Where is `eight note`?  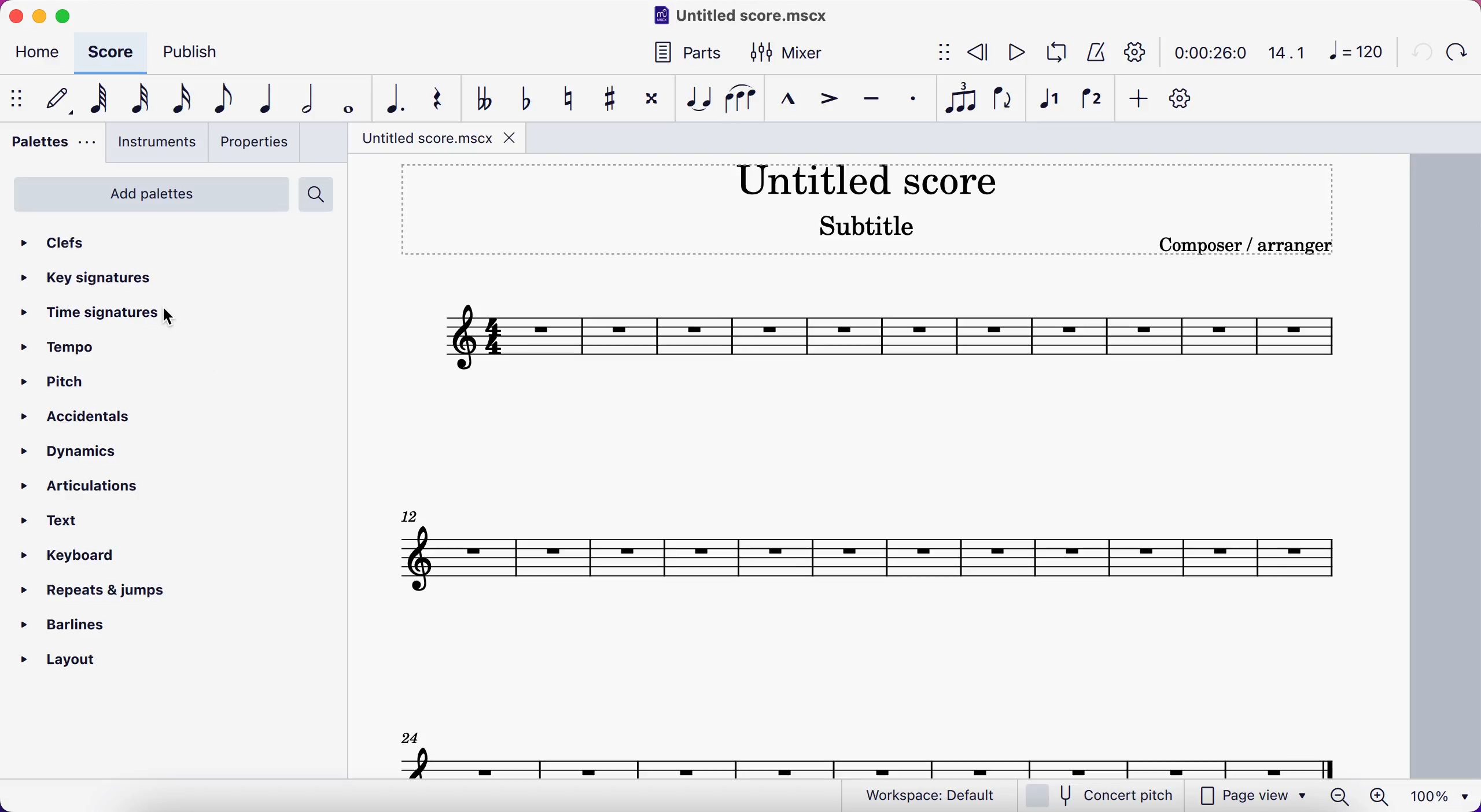 eight note is located at coordinates (216, 99).